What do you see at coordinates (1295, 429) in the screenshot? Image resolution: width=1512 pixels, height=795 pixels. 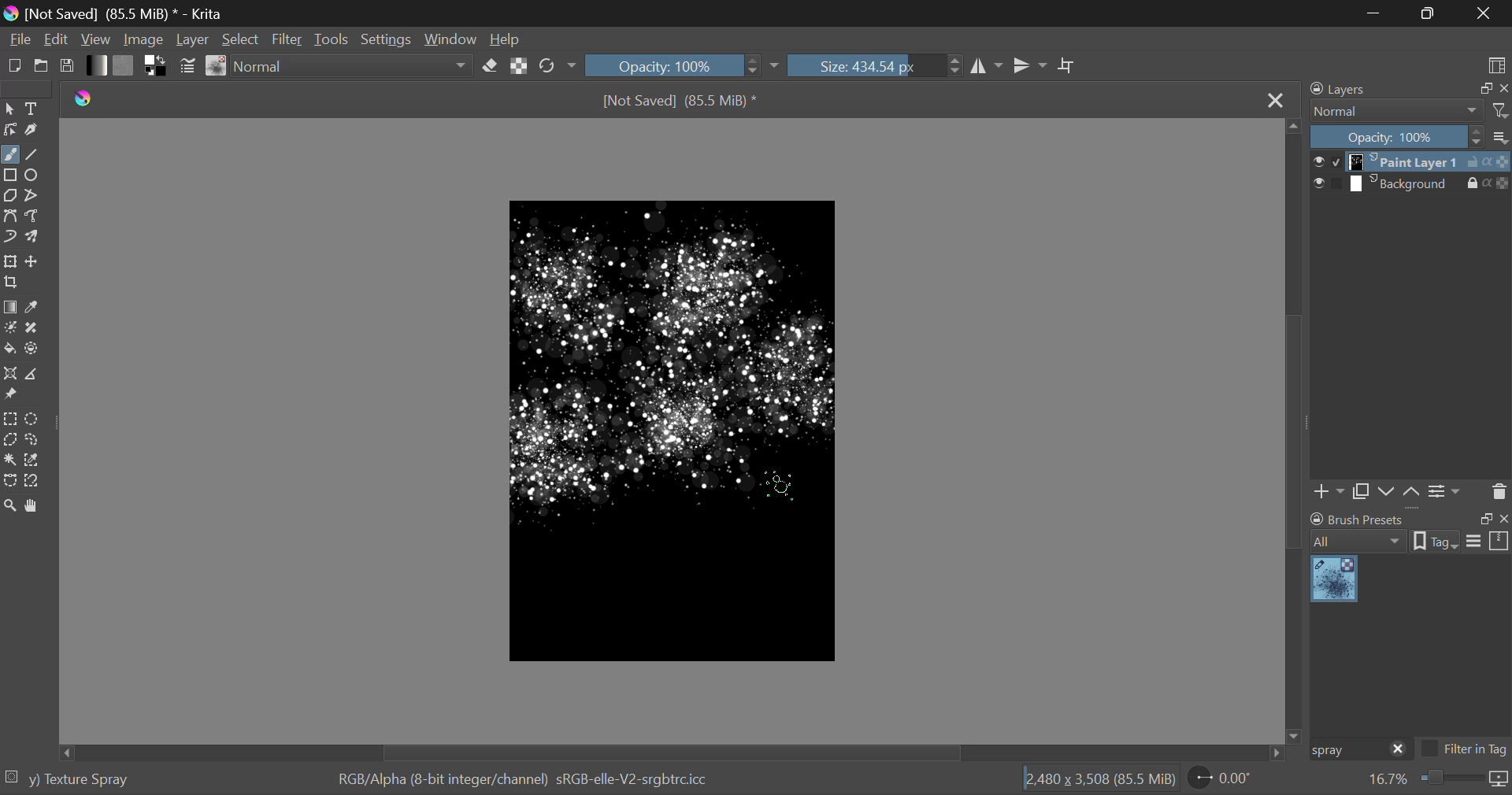 I see `Scroll Bar` at bounding box center [1295, 429].